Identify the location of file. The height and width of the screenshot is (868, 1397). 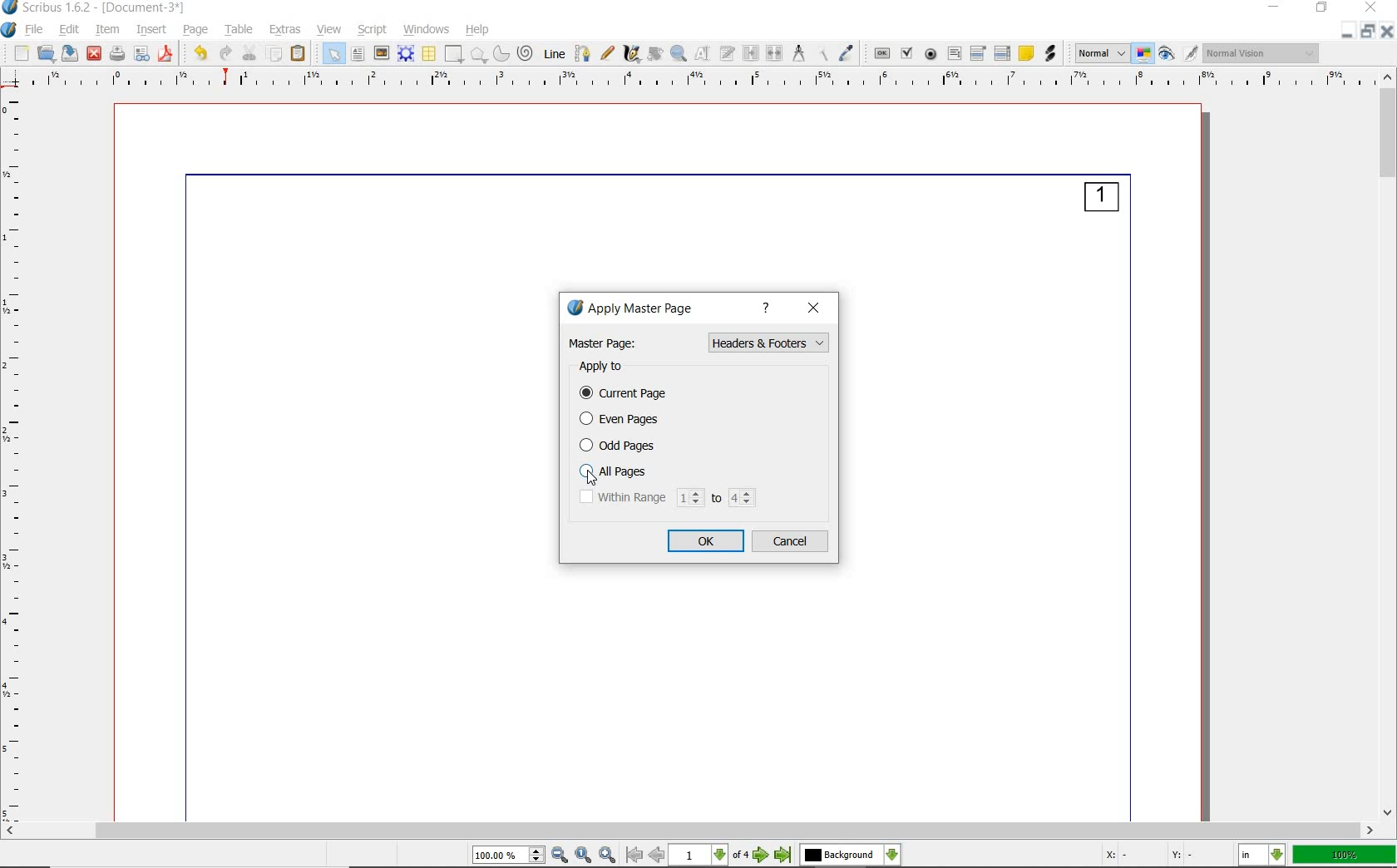
(36, 30).